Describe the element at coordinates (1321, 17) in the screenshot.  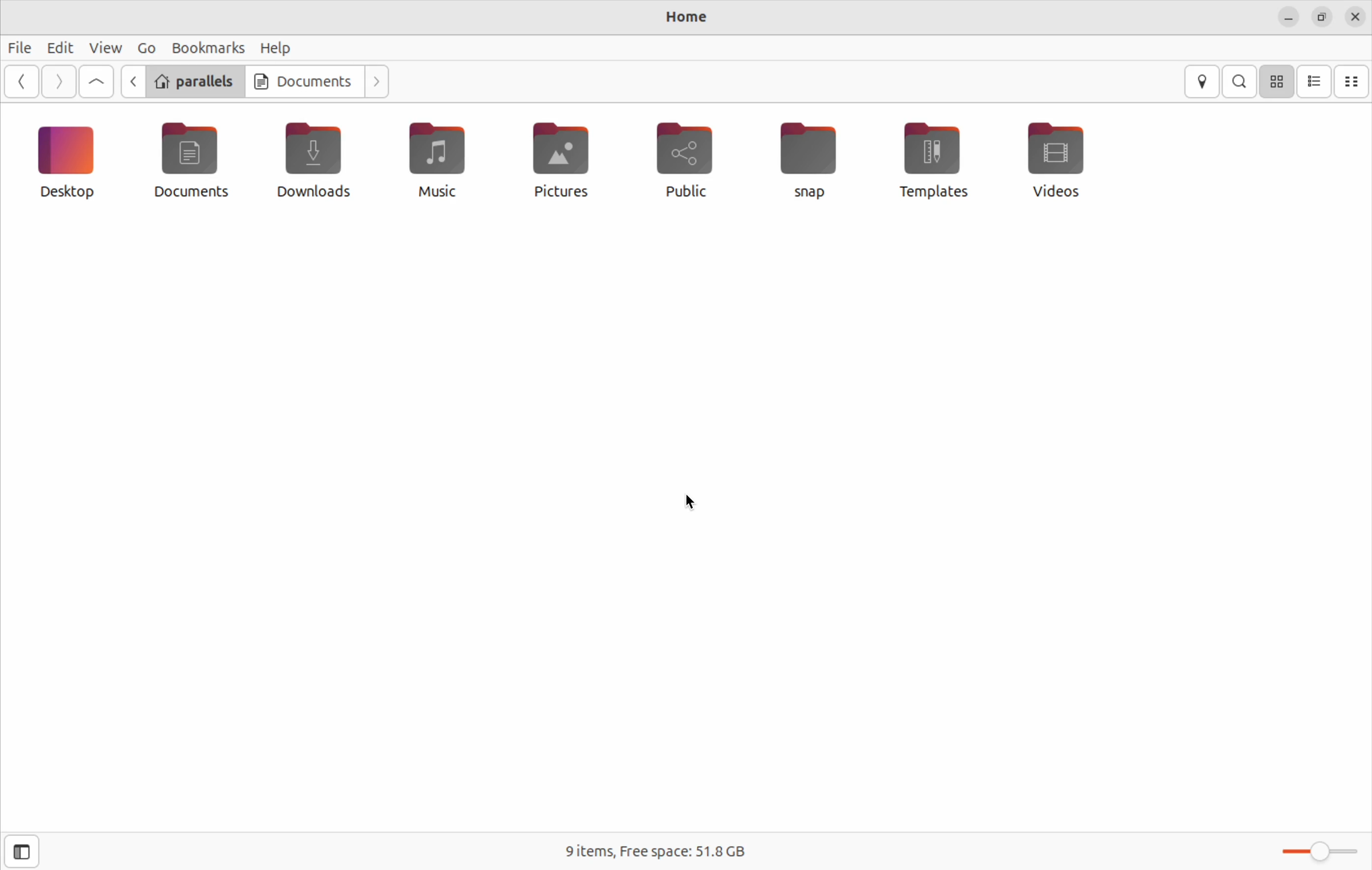
I see `resize` at that location.